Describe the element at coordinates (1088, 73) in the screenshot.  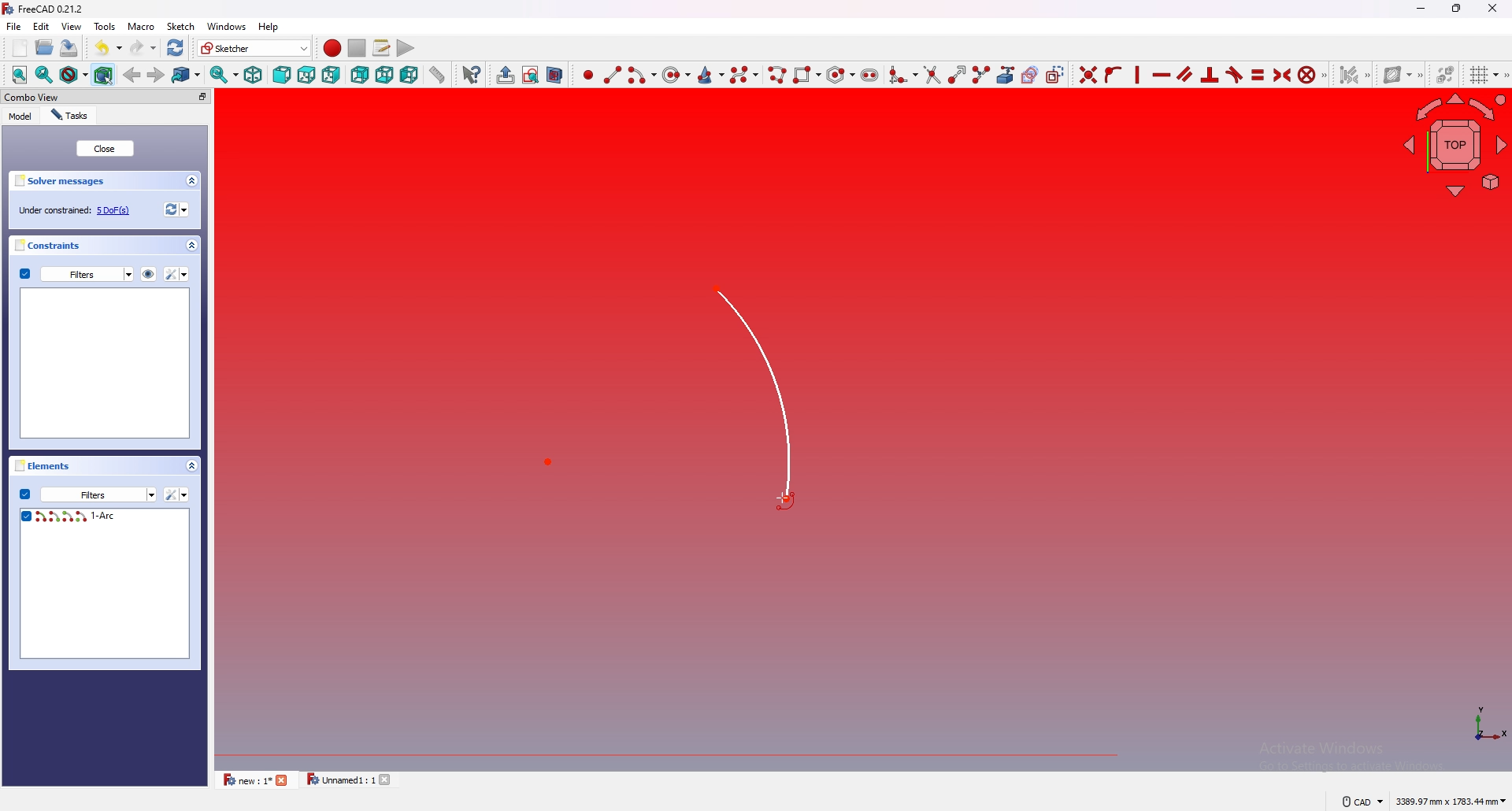
I see `constraint coincident` at that location.